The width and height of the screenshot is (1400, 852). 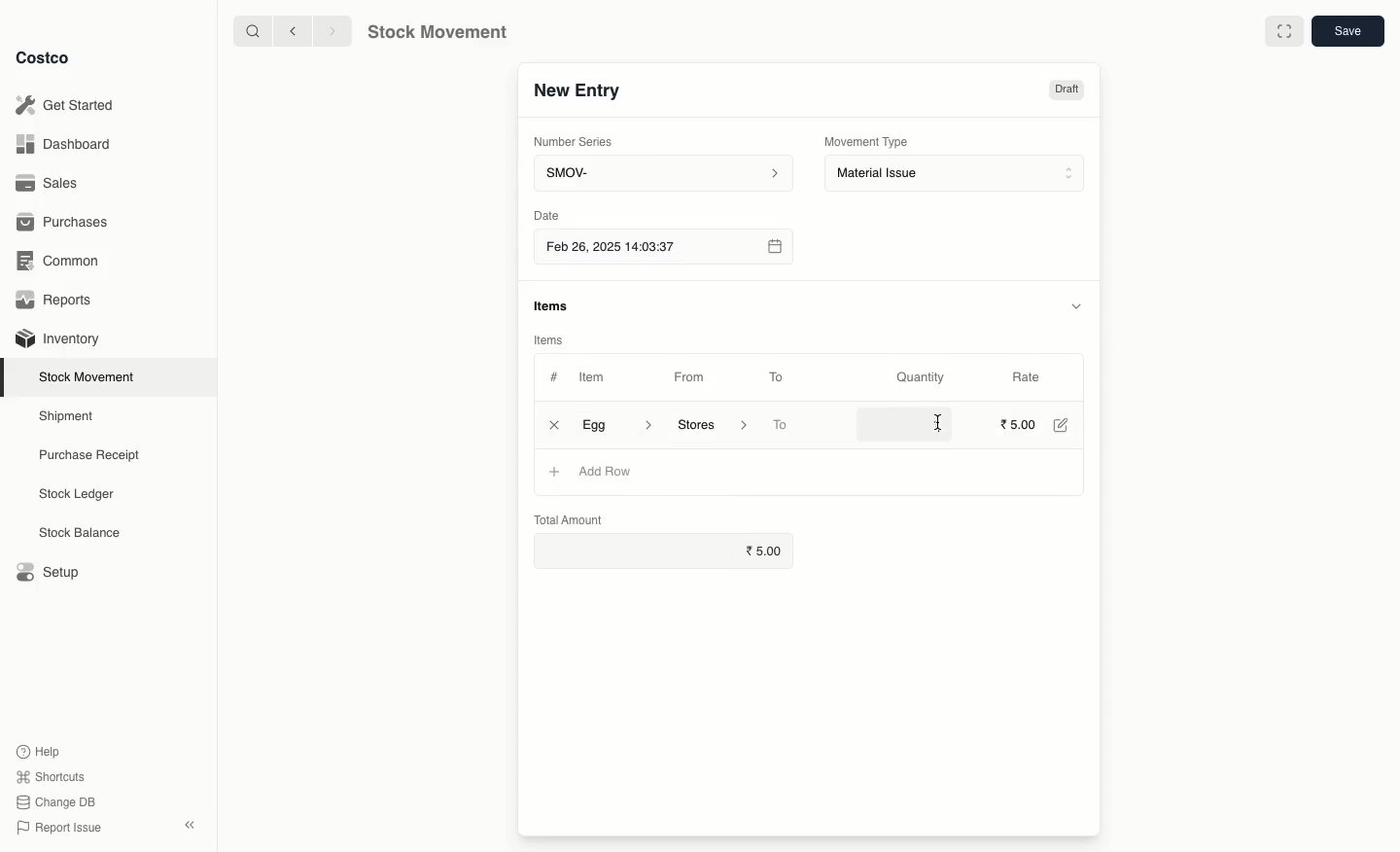 I want to click on Stock Movement, so click(x=434, y=32).